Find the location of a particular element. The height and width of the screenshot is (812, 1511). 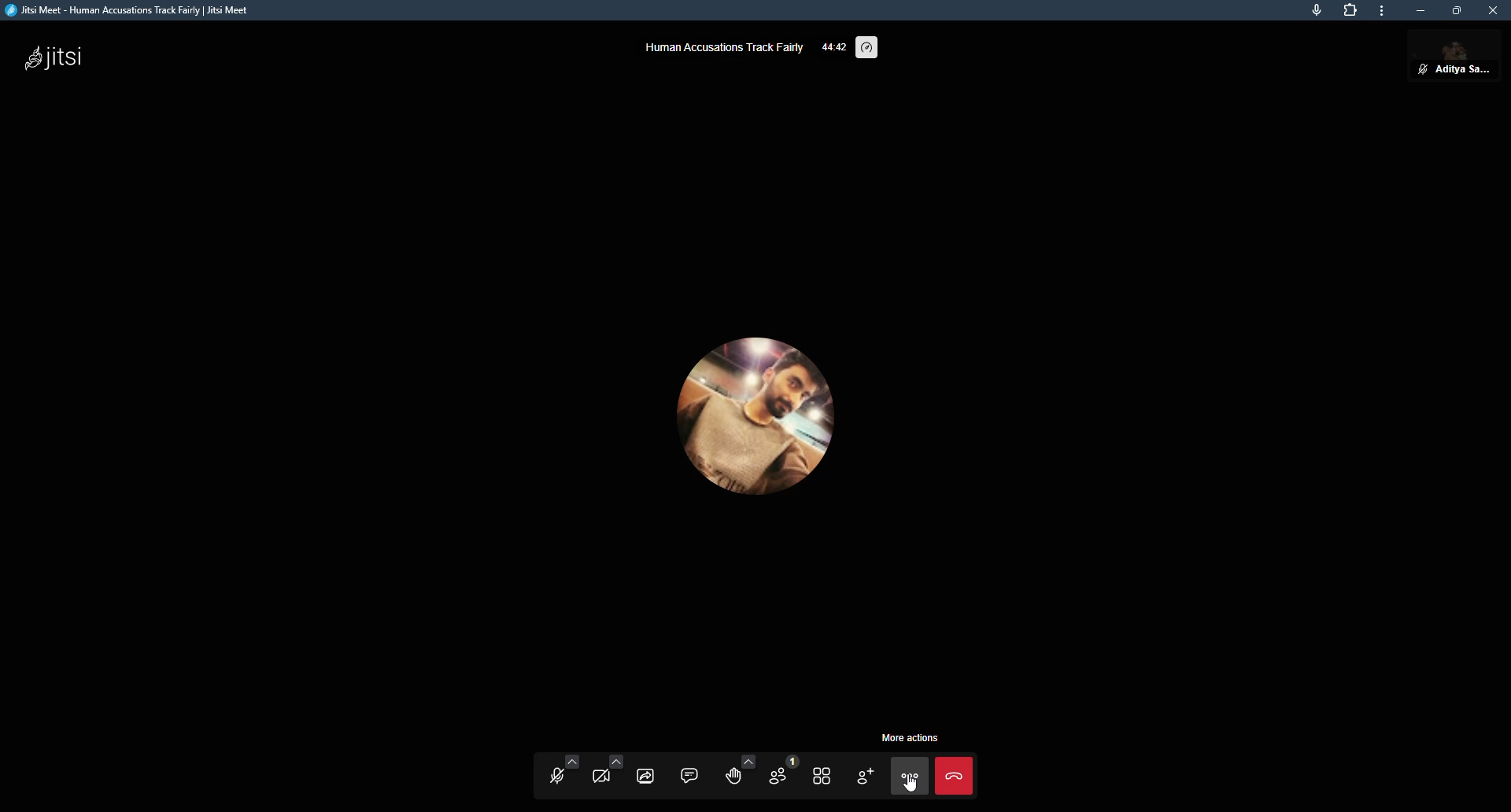

profile is located at coordinates (746, 408).